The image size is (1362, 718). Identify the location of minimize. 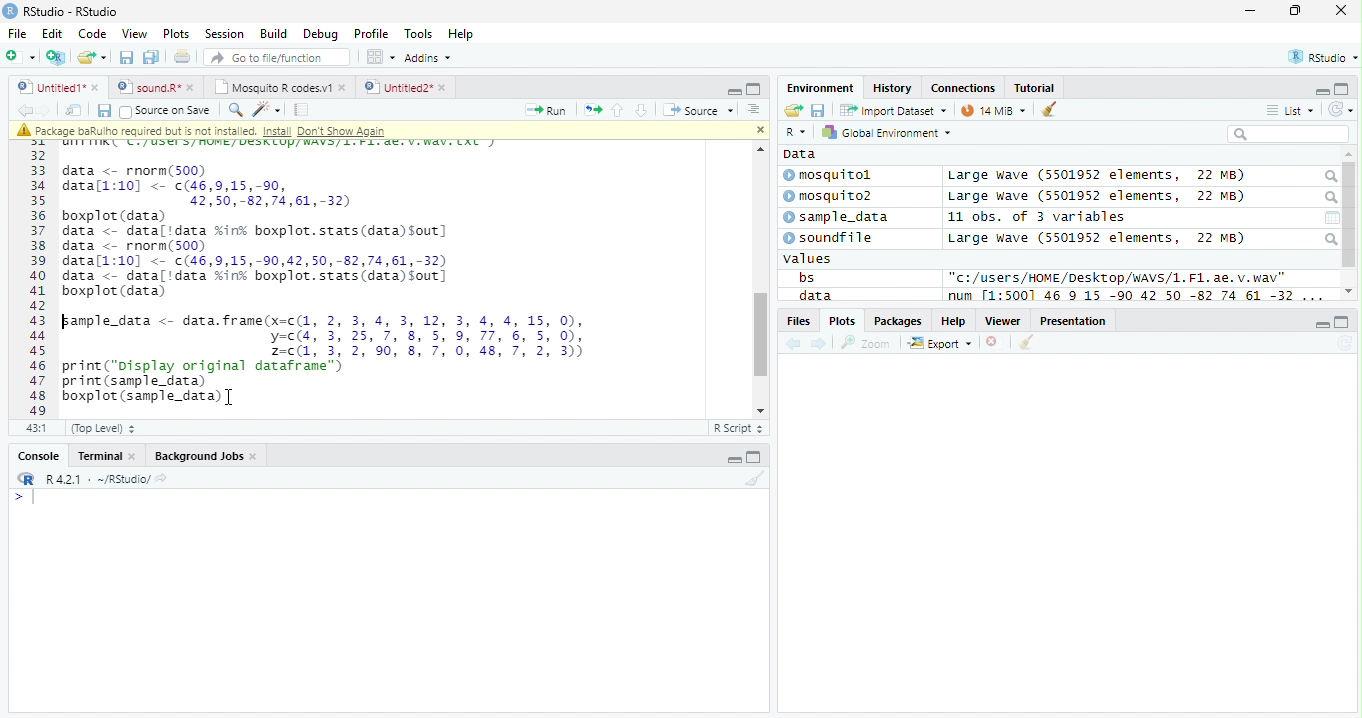
(1322, 323).